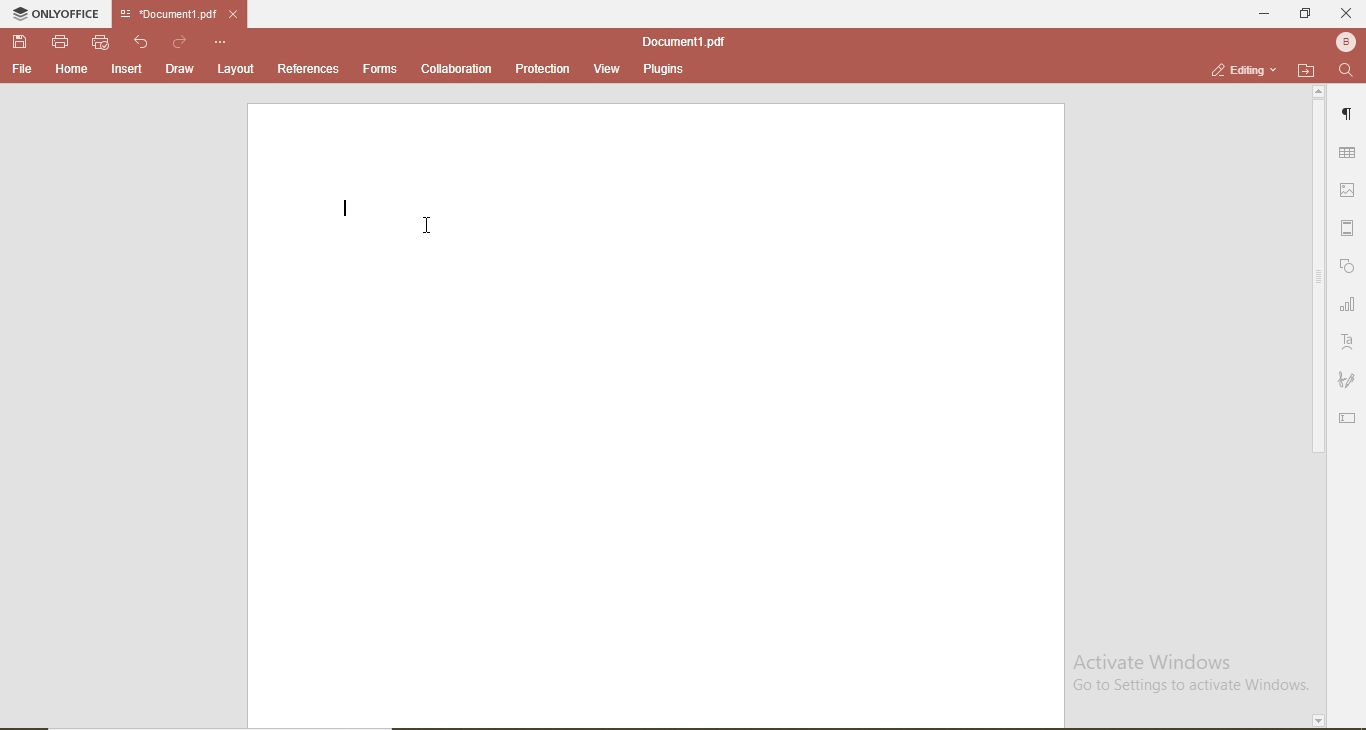  I want to click on open file location, so click(1307, 71).